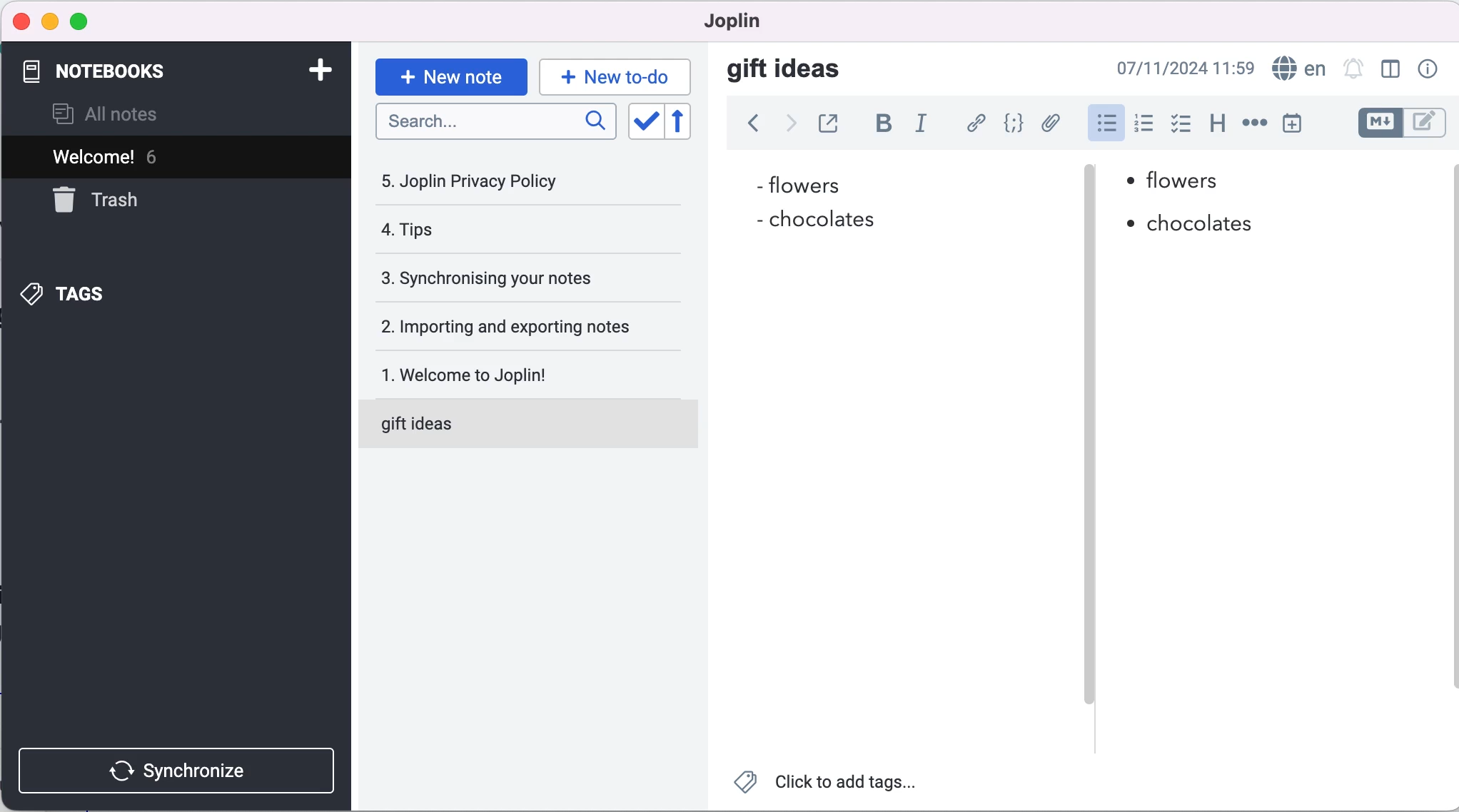 The width and height of the screenshot is (1459, 812). I want to click on hyperlink, so click(975, 123).